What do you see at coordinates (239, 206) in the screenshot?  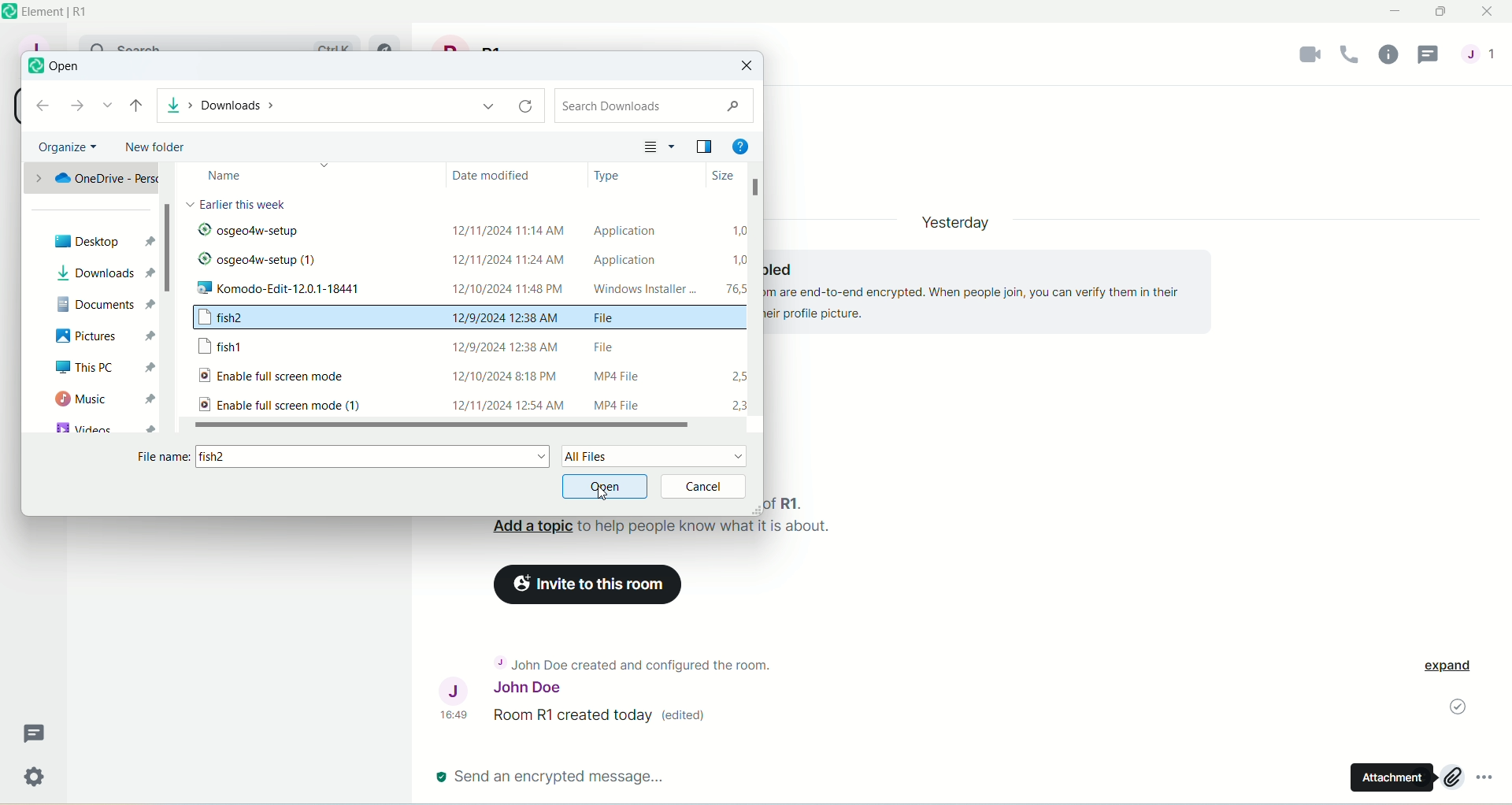 I see `text` at bounding box center [239, 206].